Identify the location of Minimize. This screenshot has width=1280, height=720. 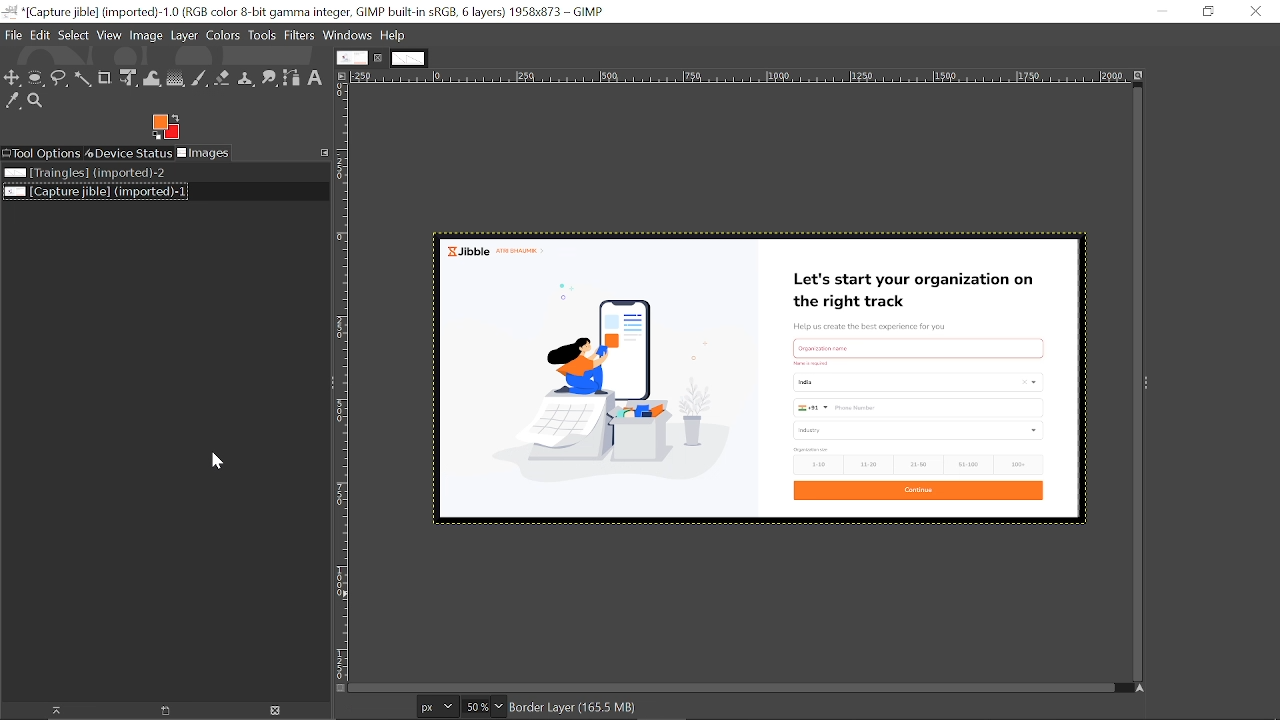
(1157, 11).